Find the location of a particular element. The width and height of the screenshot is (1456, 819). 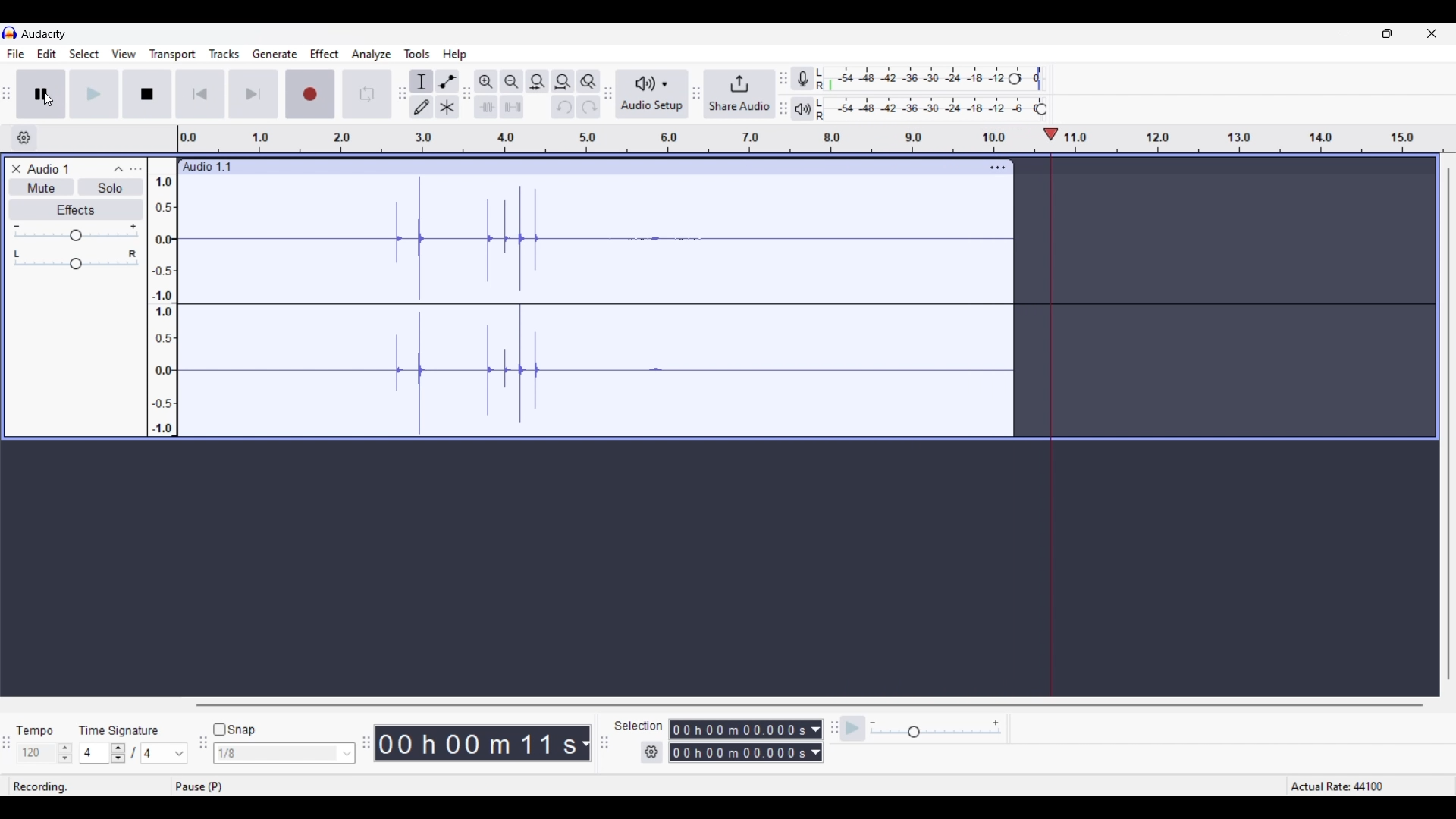

Title of current track record is located at coordinates (48, 168).